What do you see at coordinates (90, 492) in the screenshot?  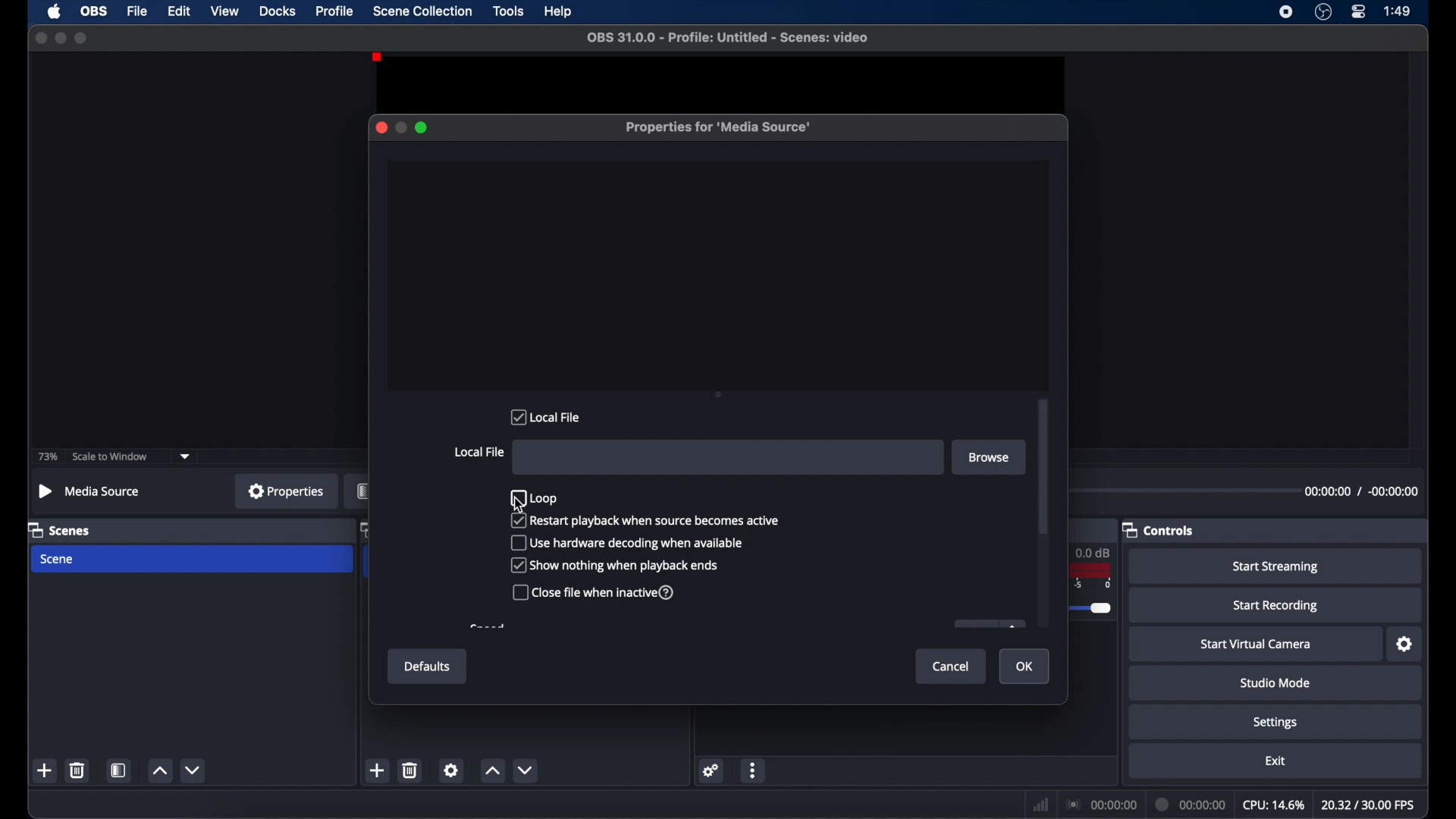 I see `no source selected` at bounding box center [90, 492].